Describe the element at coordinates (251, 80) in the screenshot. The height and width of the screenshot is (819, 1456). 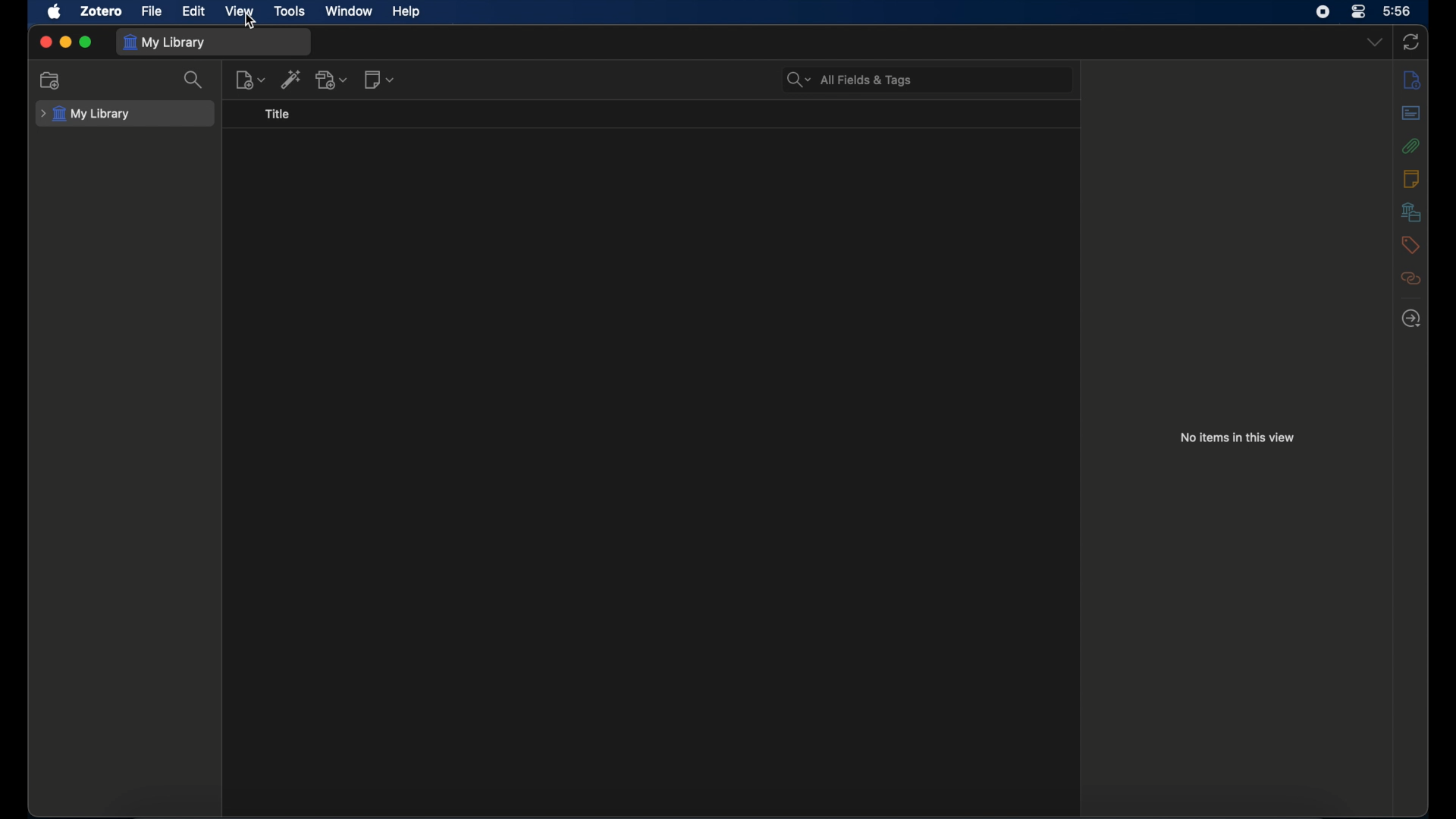
I see `new item` at that location.